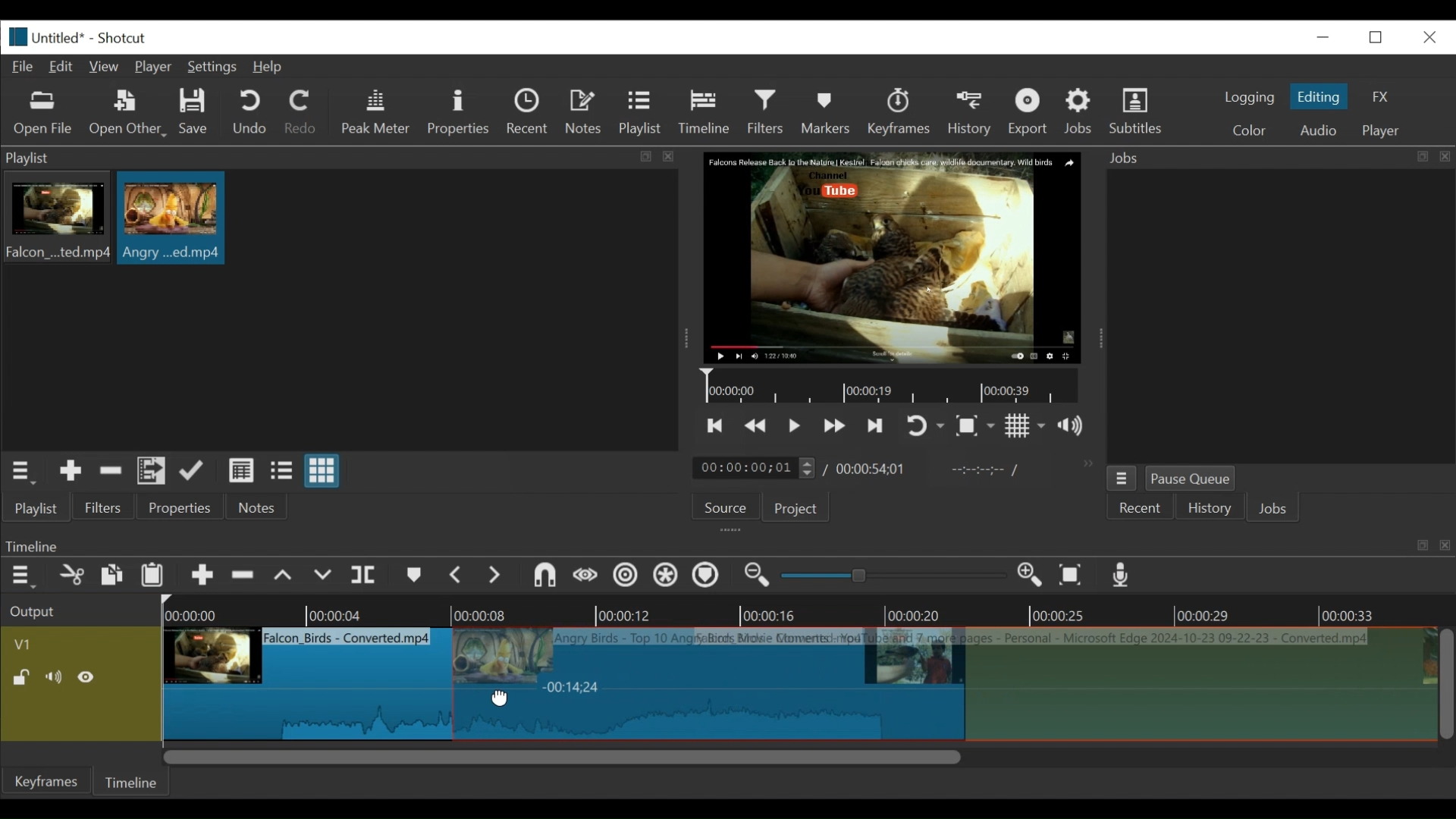 The image size is (1456, 819). What do you see at coordinates (57, 677) in the screenshot?
I see `Mute` at bounding box center [57, 677].